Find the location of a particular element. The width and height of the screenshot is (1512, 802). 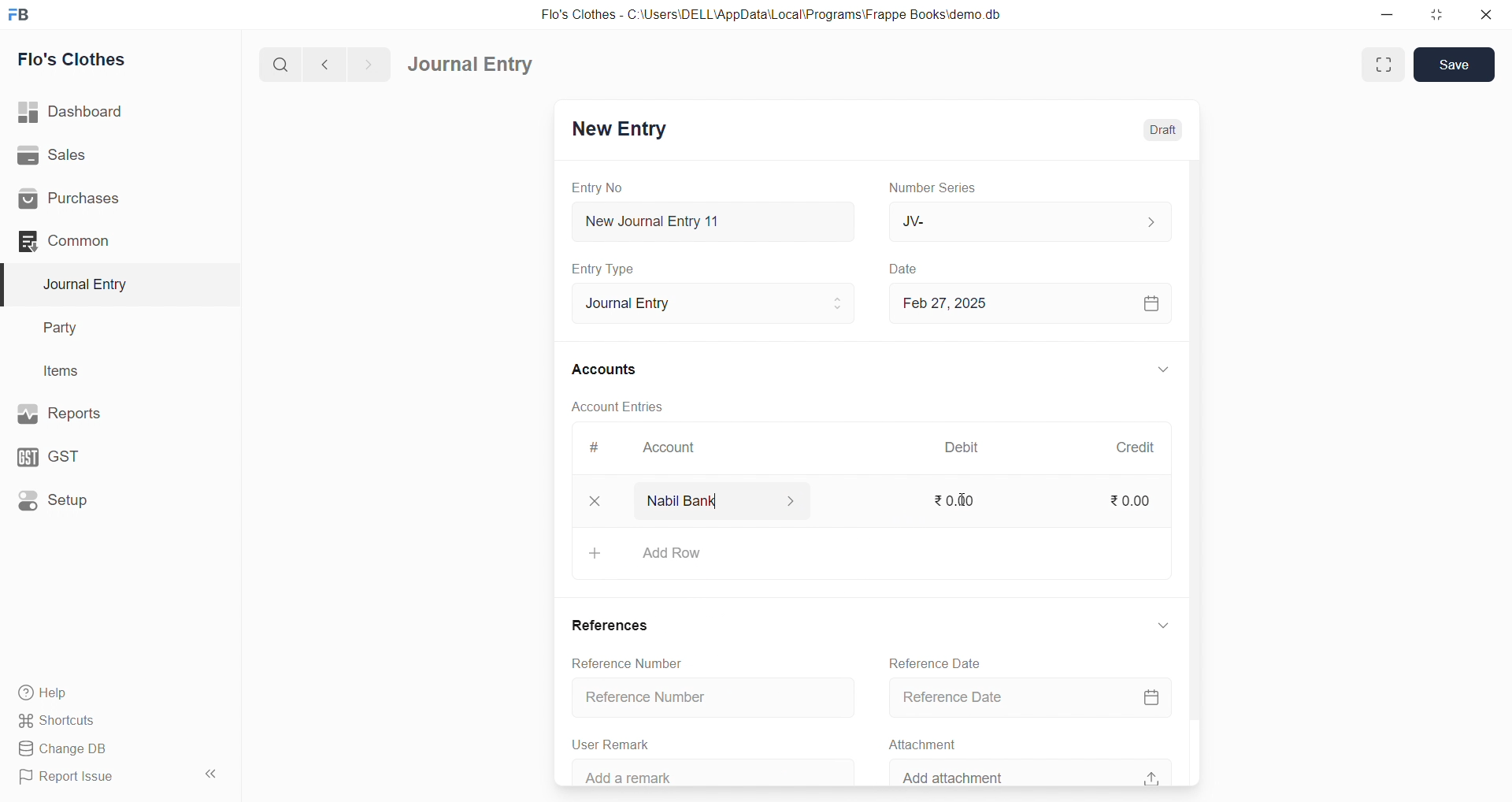

minimize is located at coordinates (1384, 13).